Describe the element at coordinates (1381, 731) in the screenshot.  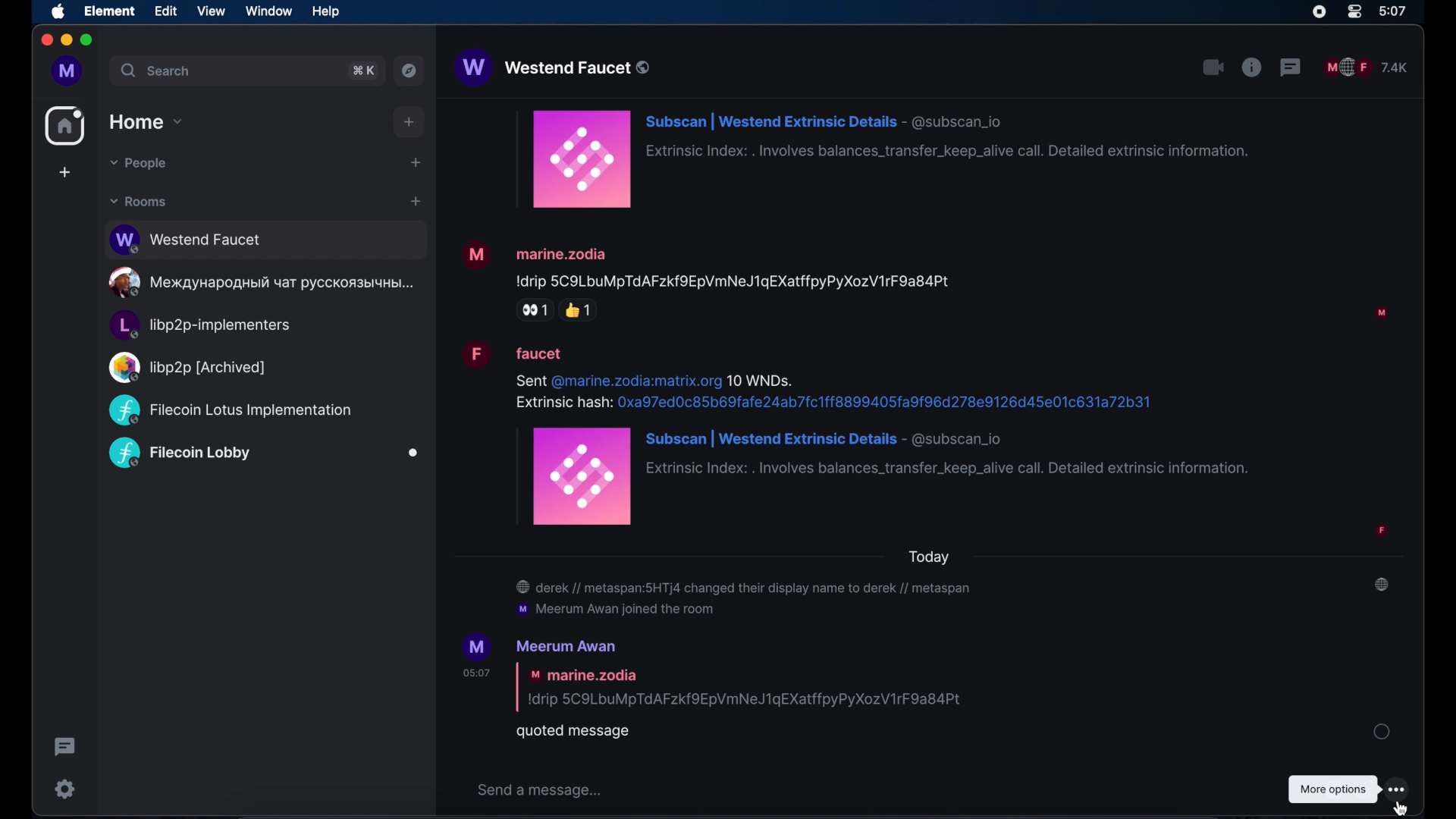
I see `message sent` at that location.